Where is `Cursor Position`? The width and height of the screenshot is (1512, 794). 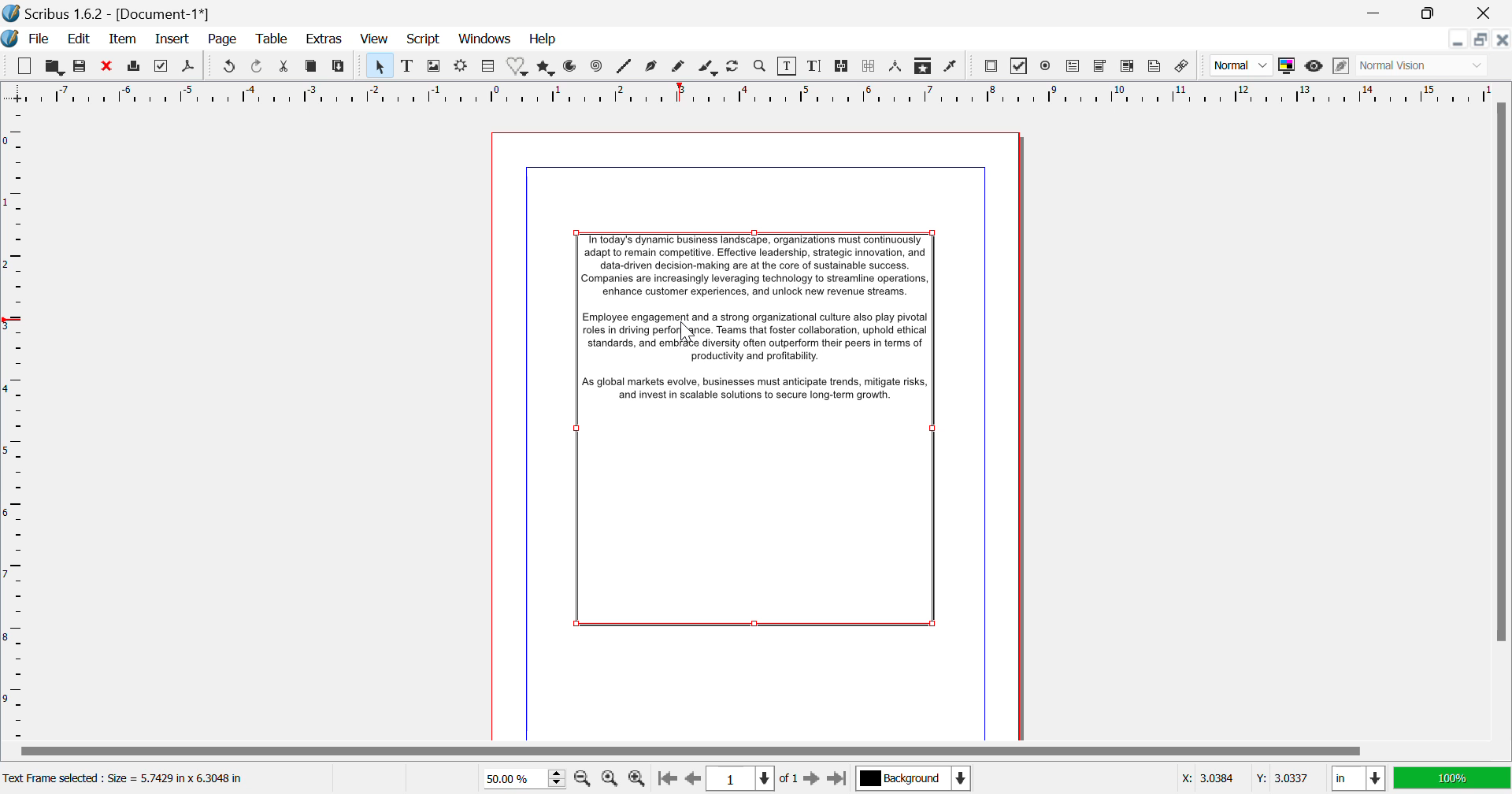 Cursor Position is located at coordinates (1248, 779).